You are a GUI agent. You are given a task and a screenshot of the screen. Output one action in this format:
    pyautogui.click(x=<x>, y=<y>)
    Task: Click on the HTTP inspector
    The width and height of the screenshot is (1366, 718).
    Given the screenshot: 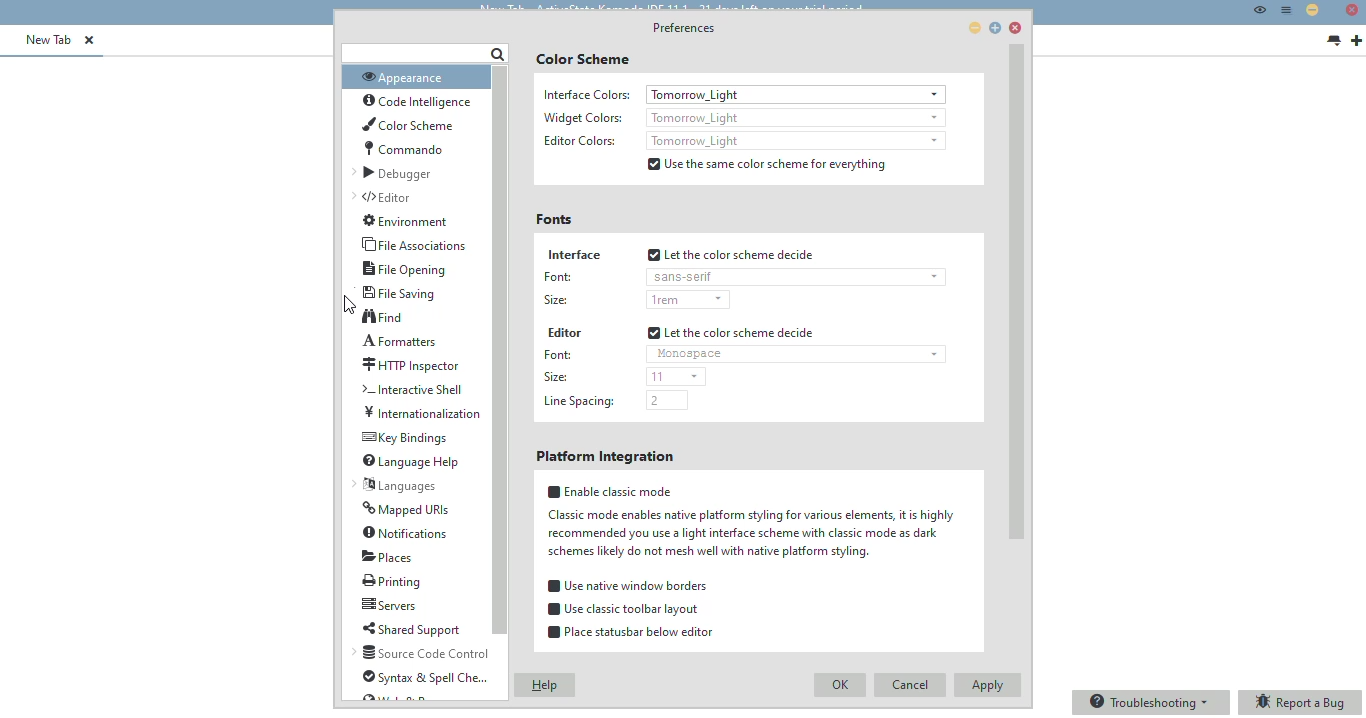 What is the action you would take?
    pyautogui.click(x=411, y=365)
    